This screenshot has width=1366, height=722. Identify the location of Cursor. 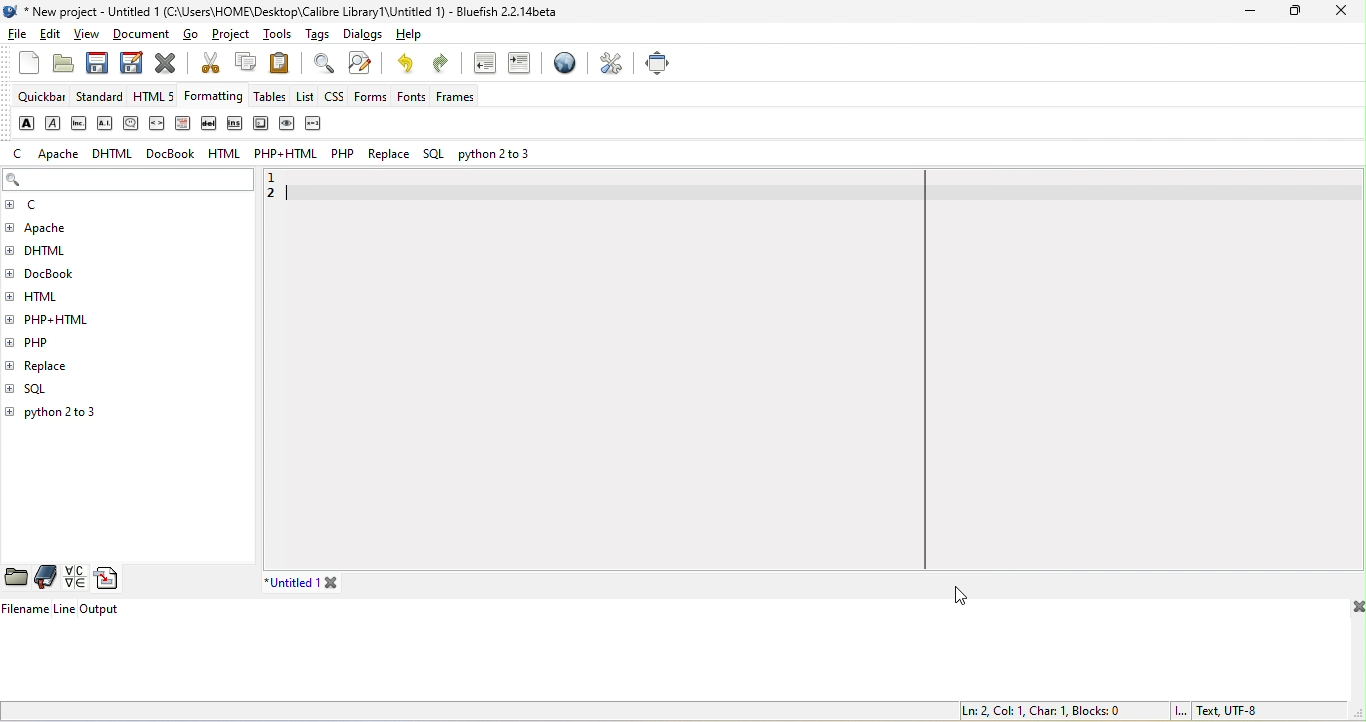
(965, 596).